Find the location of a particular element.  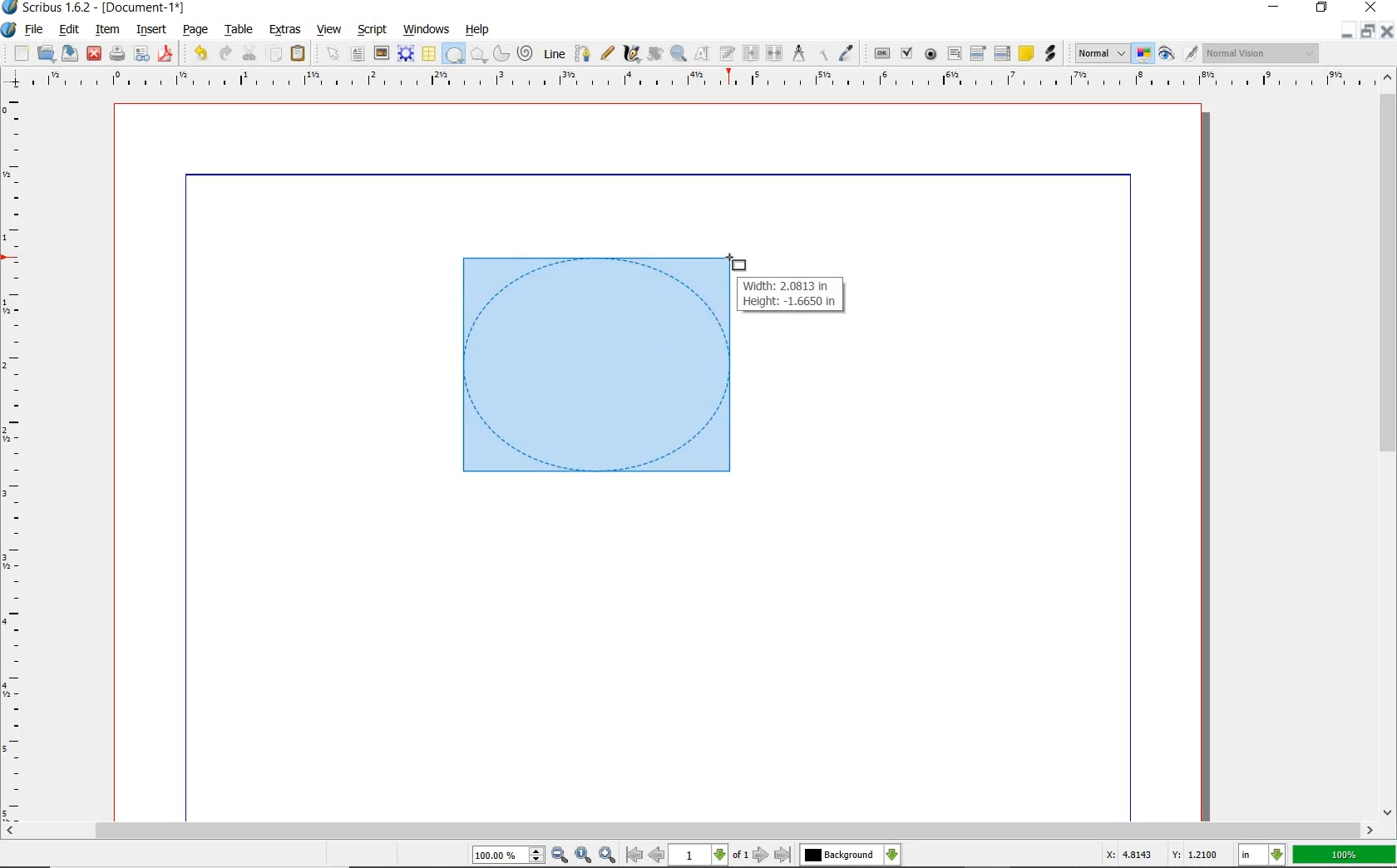

drawing shape is located at coordinates (593, 366).